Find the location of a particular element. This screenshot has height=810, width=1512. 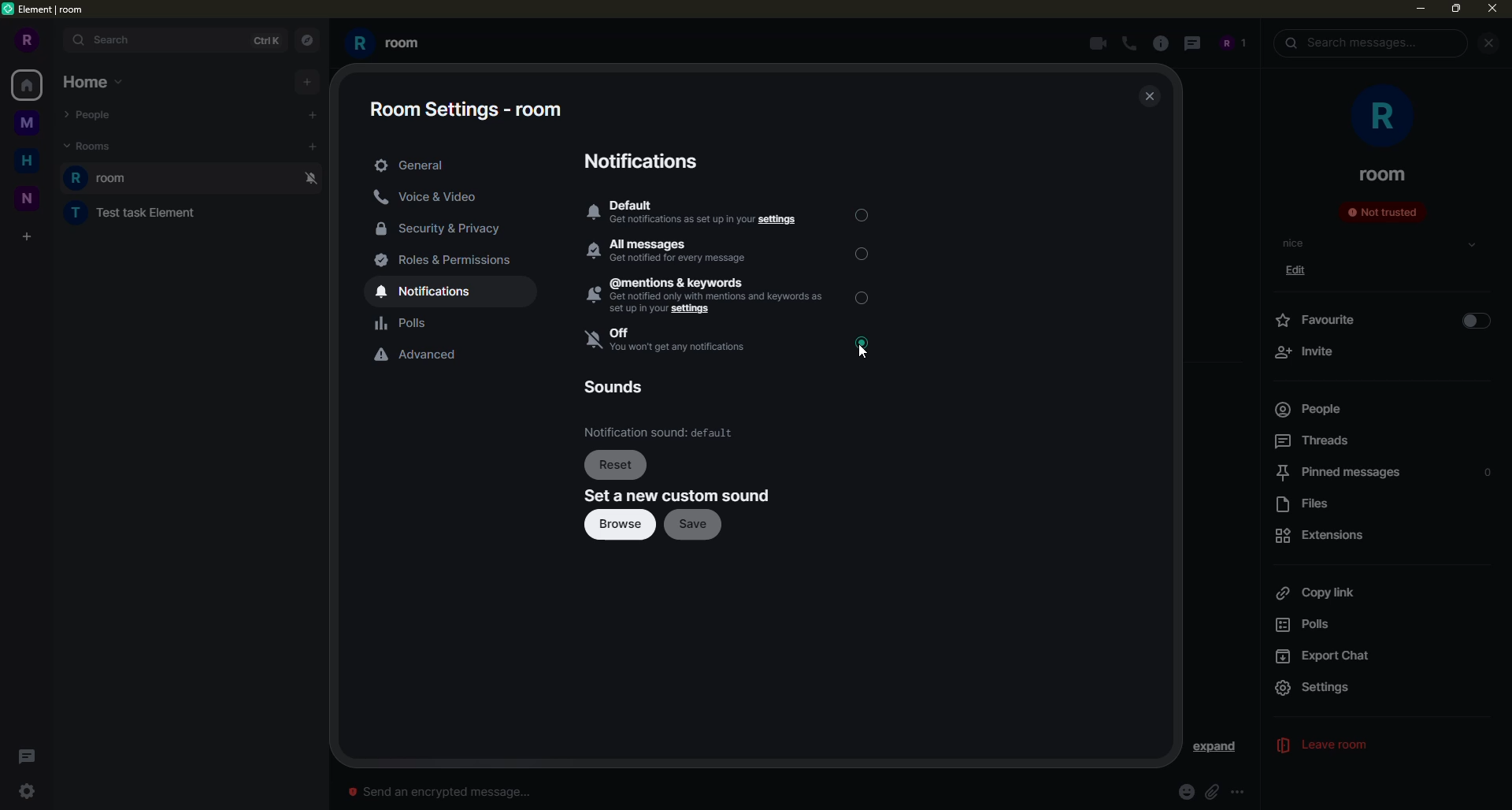

favorite is located at coordinates (1322, 320).